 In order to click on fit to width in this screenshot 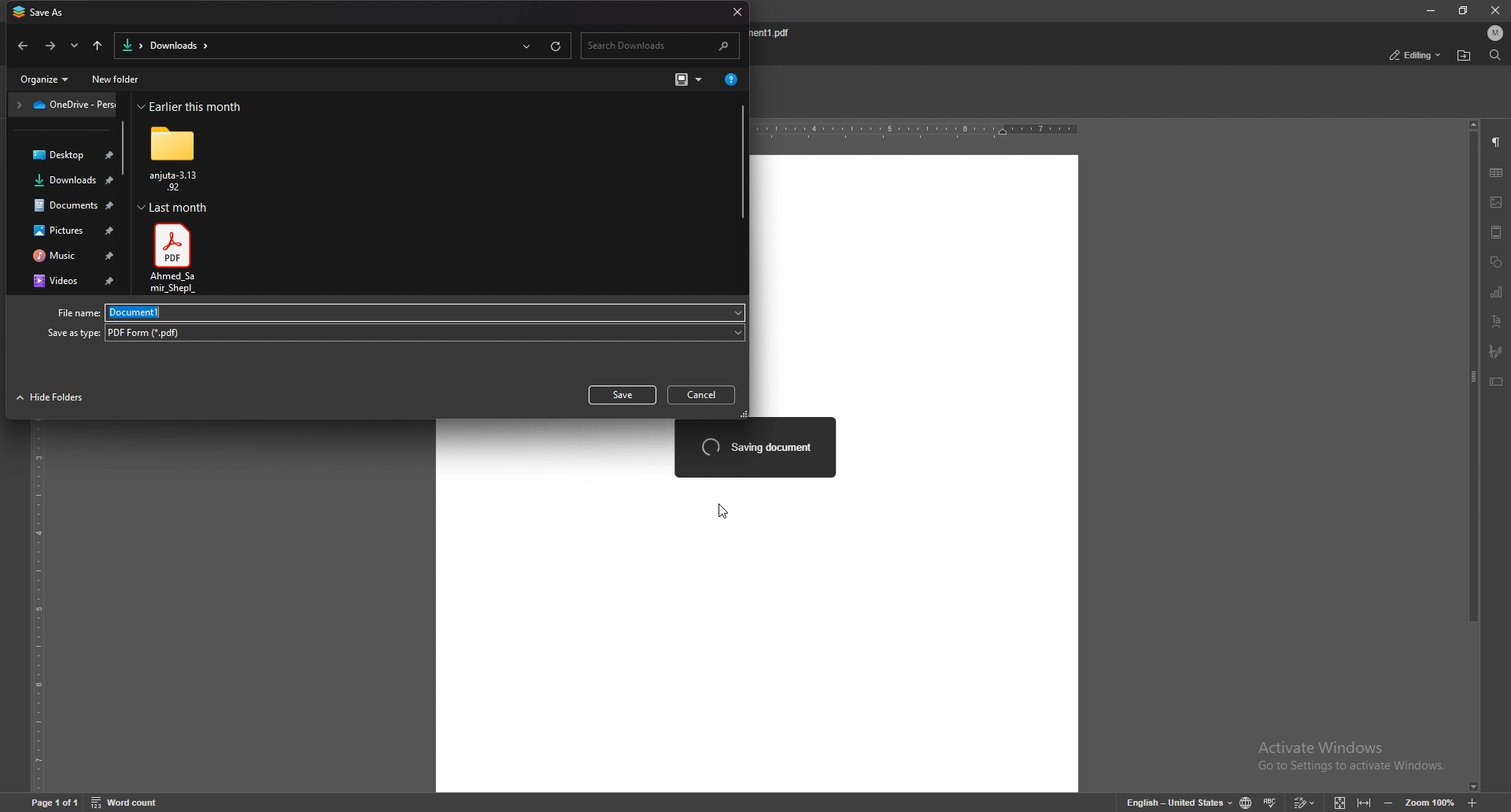, I will do `click(1365, 801)`.